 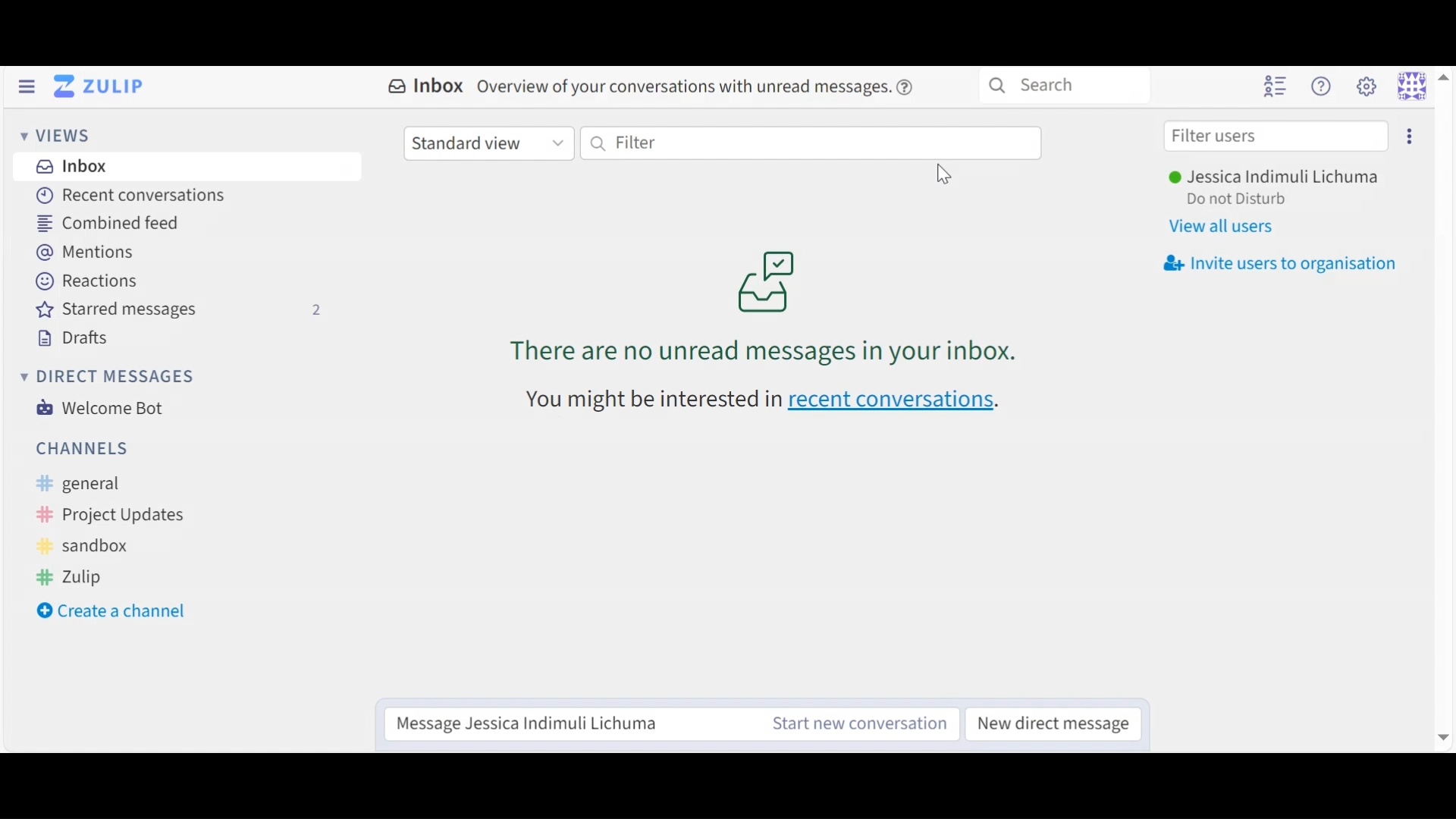 What do you see at coordinates (1443, 76) in the screenshot?
I see `Up` at bounding box center [1443, 76].